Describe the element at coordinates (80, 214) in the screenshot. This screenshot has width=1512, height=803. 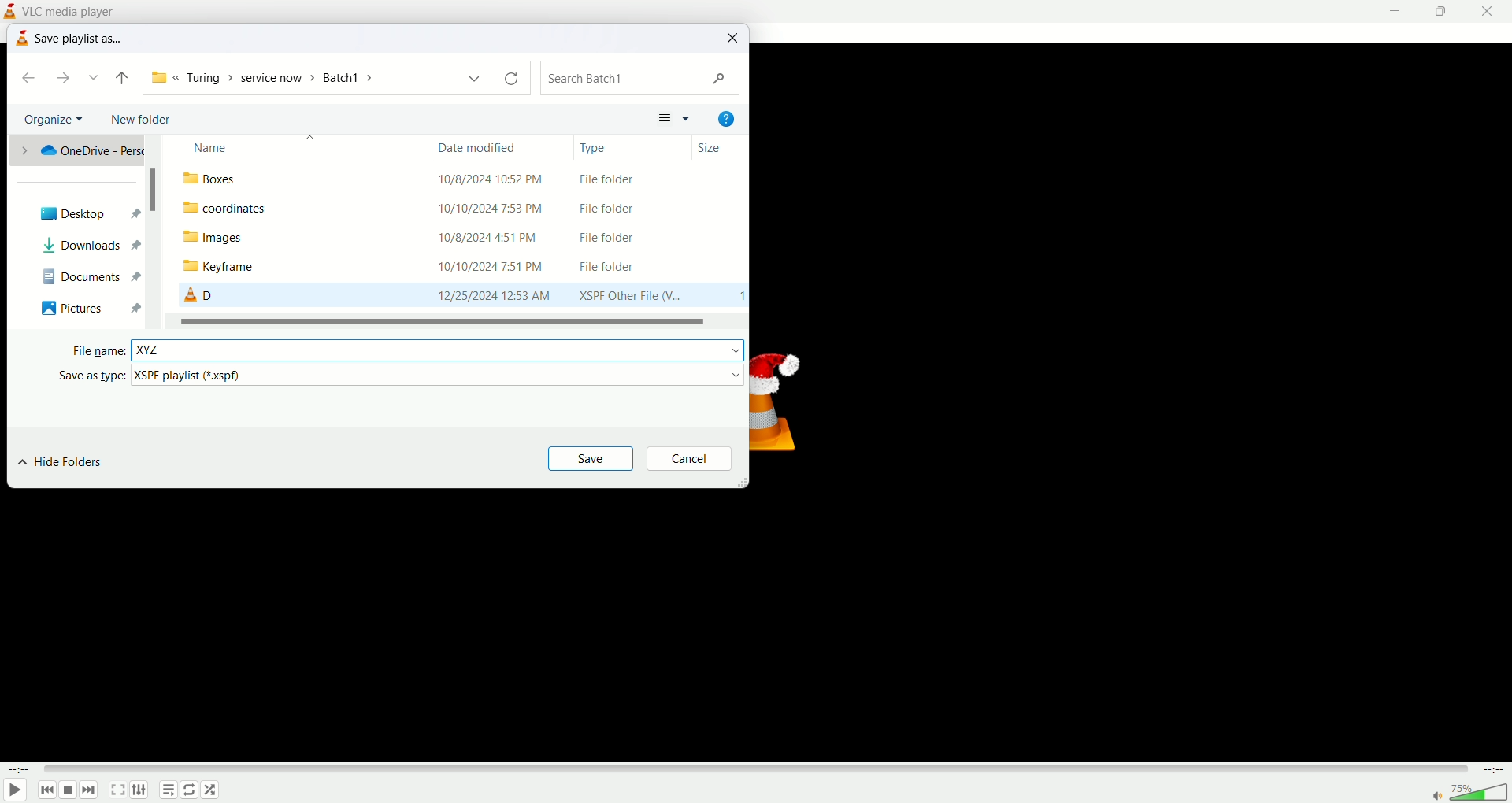
I see `desktop` at that location.